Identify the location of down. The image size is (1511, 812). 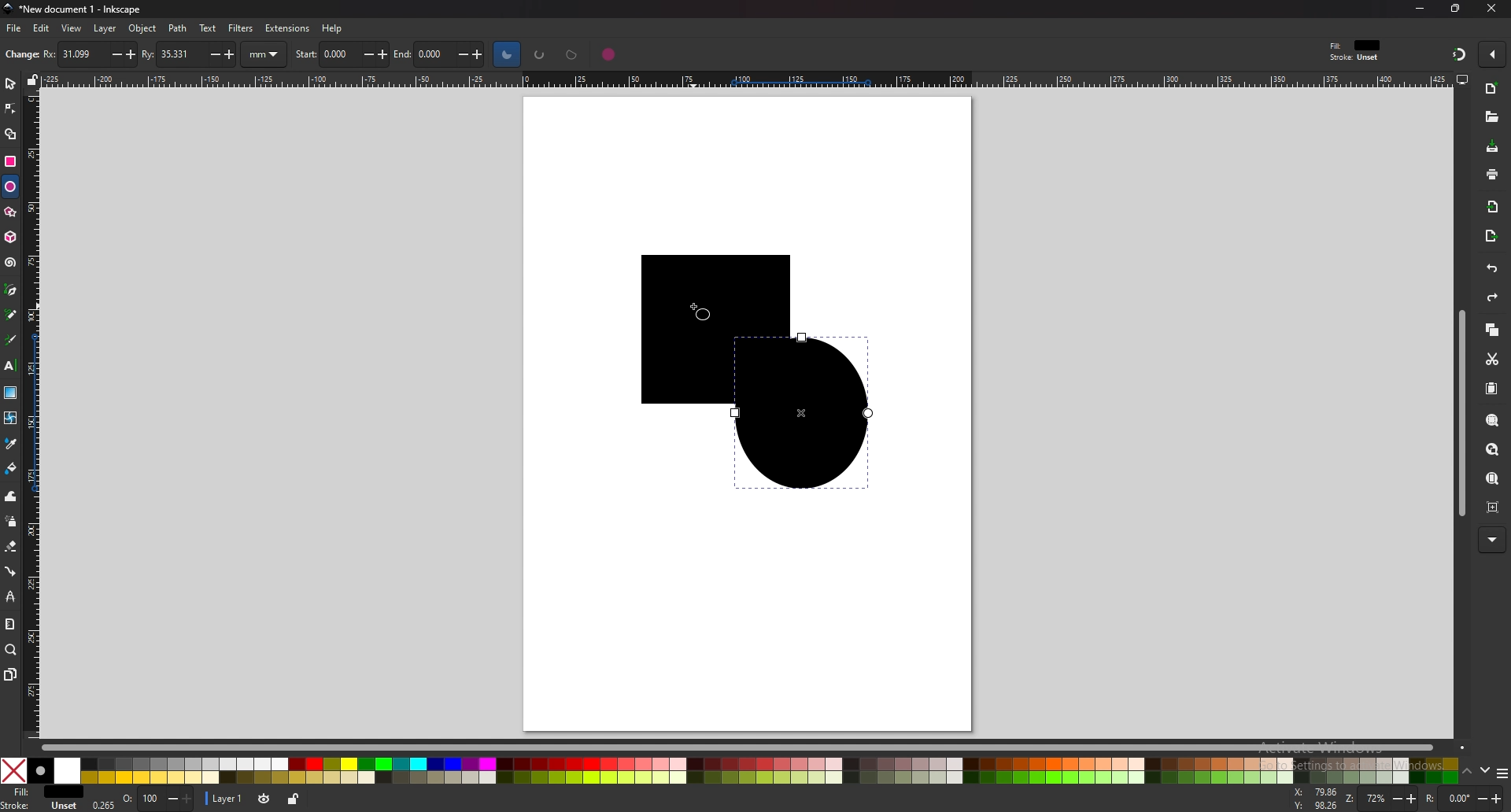
(1487, 773).